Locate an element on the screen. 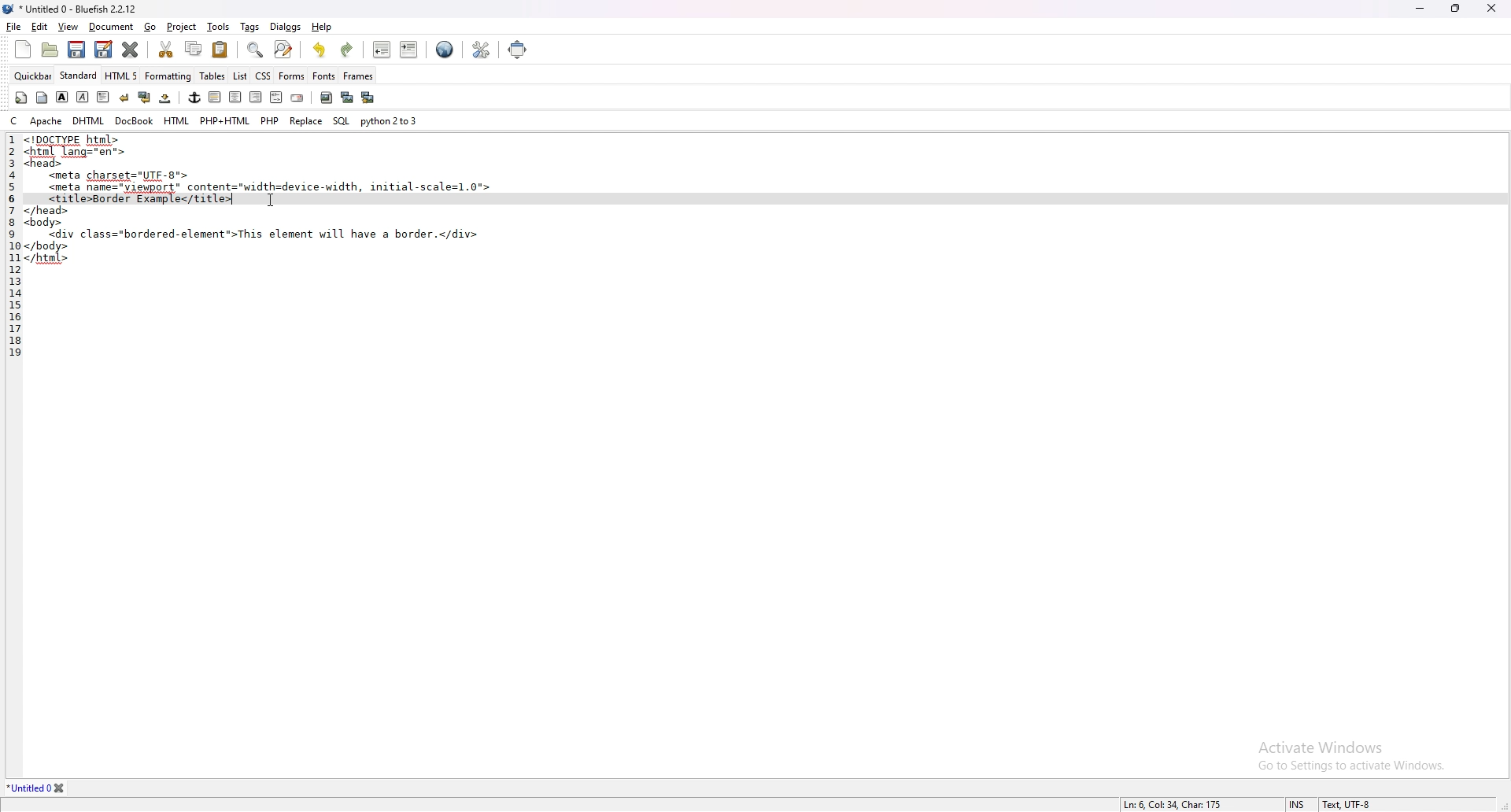 The width and height of the screenshot is (1511, 812). unindent is located at coordinates (381, 49).